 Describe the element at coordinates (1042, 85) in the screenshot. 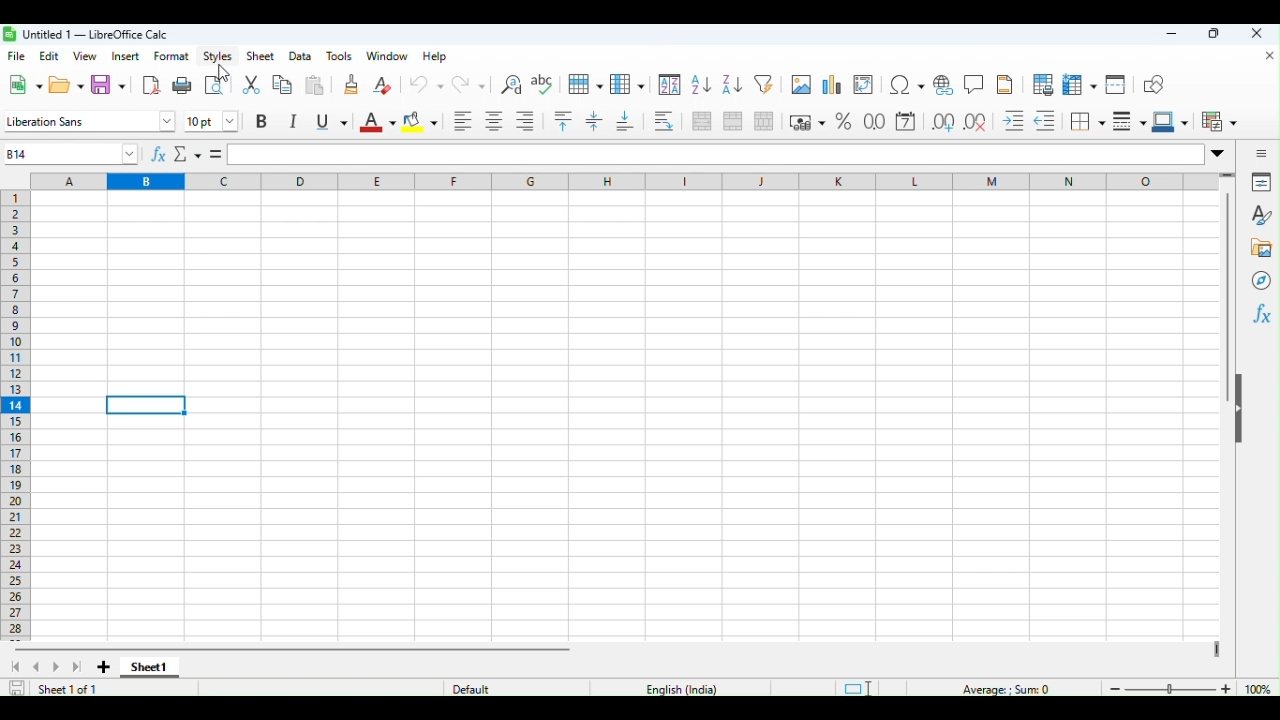

I see `` at that location.